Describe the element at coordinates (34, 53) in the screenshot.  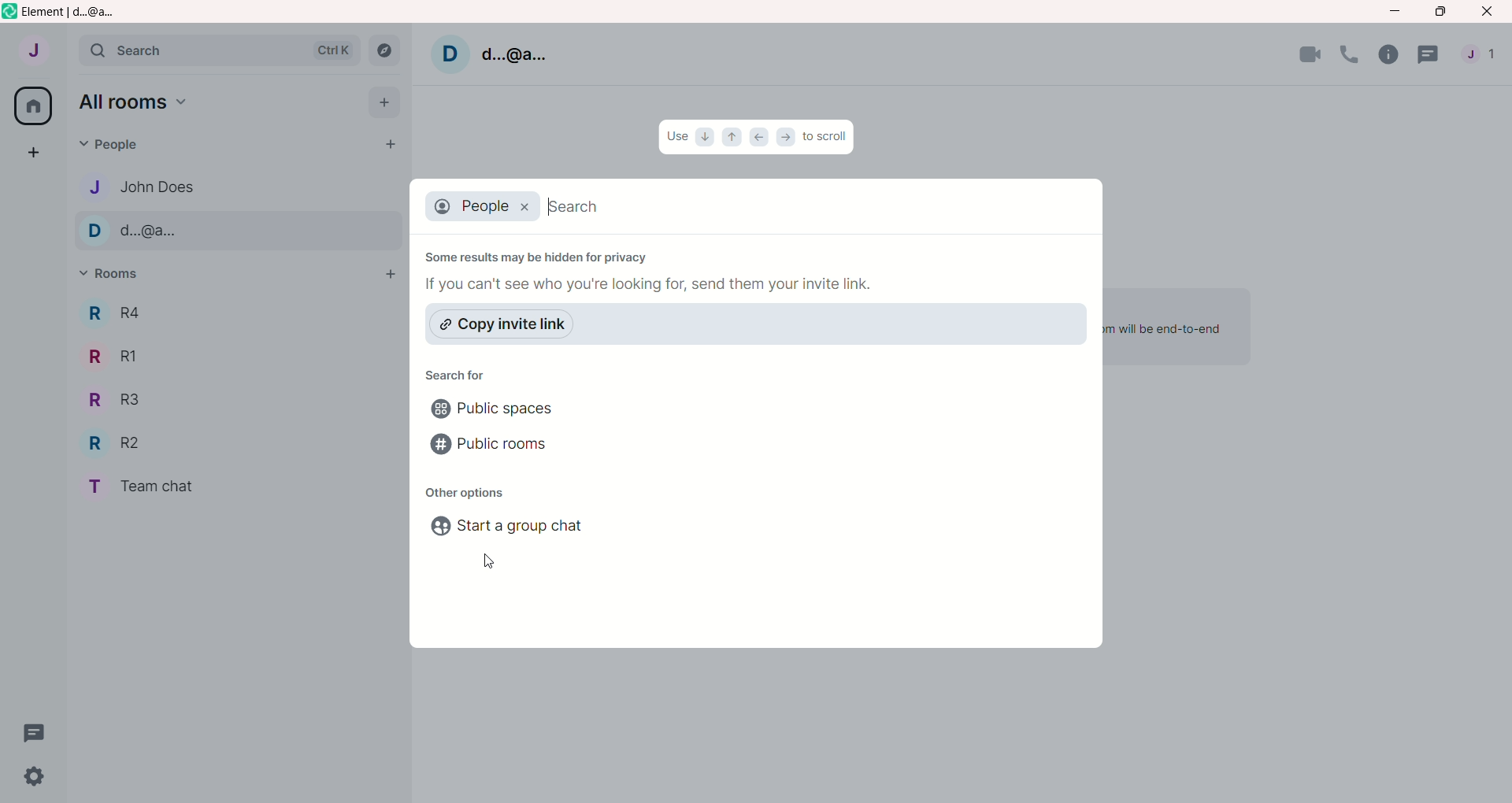
I see `account` at that location.